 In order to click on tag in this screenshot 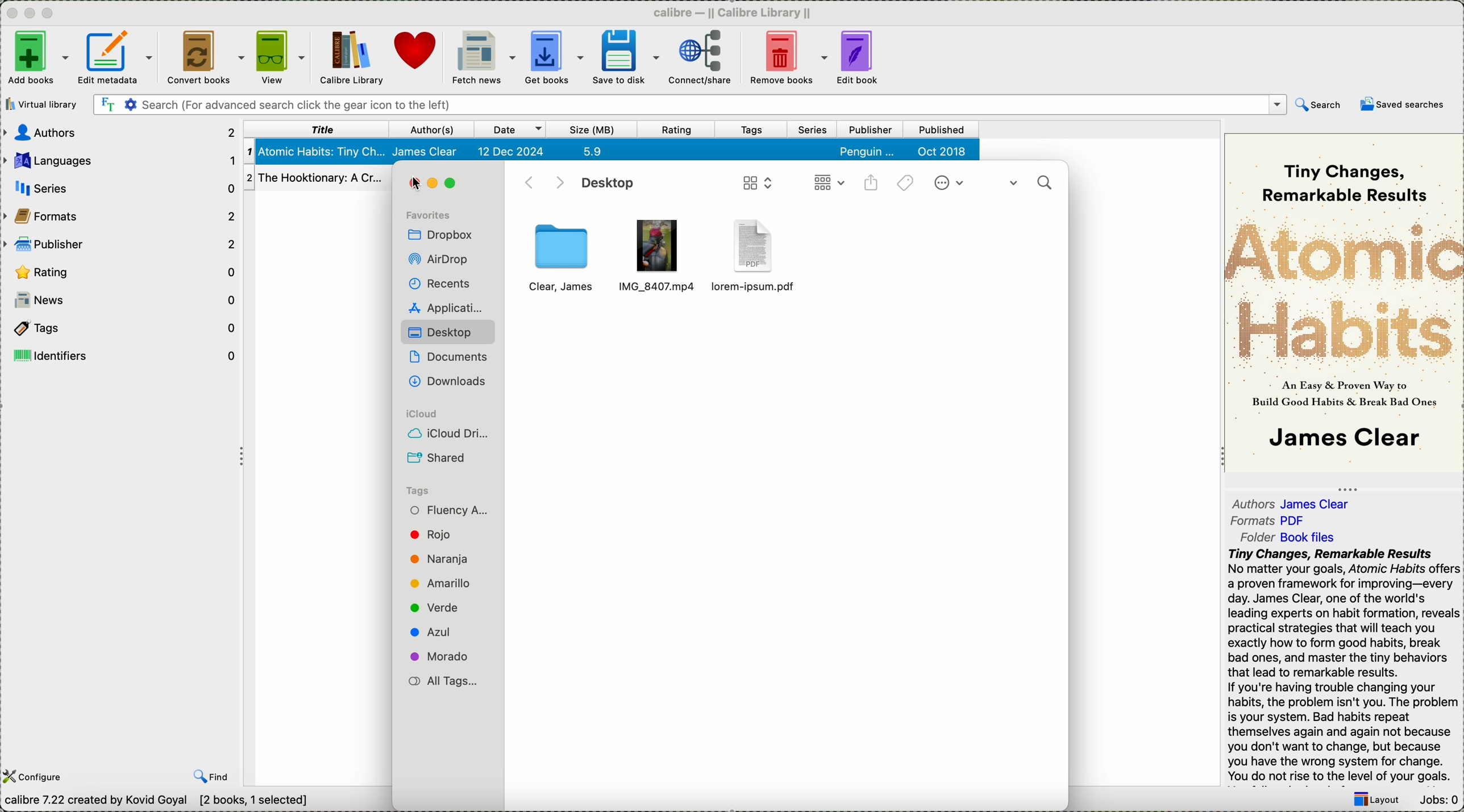, I will do `click(440, 657)`.